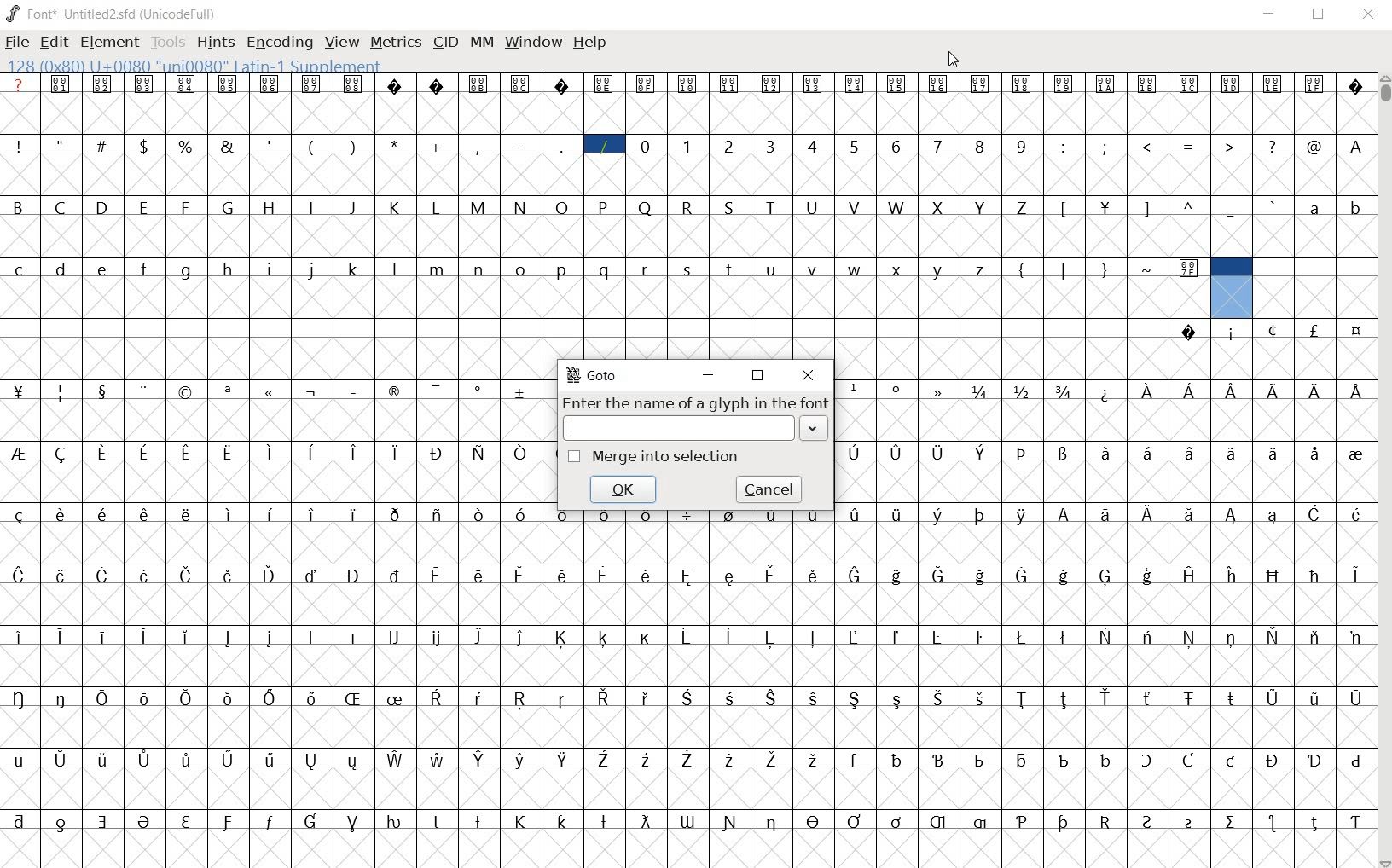 This screenshot has width=1392, height=868. What do you see at coordinates (1273, 454) in the screenshot?
I see `Symbol` at bounding box center [1273, 454].